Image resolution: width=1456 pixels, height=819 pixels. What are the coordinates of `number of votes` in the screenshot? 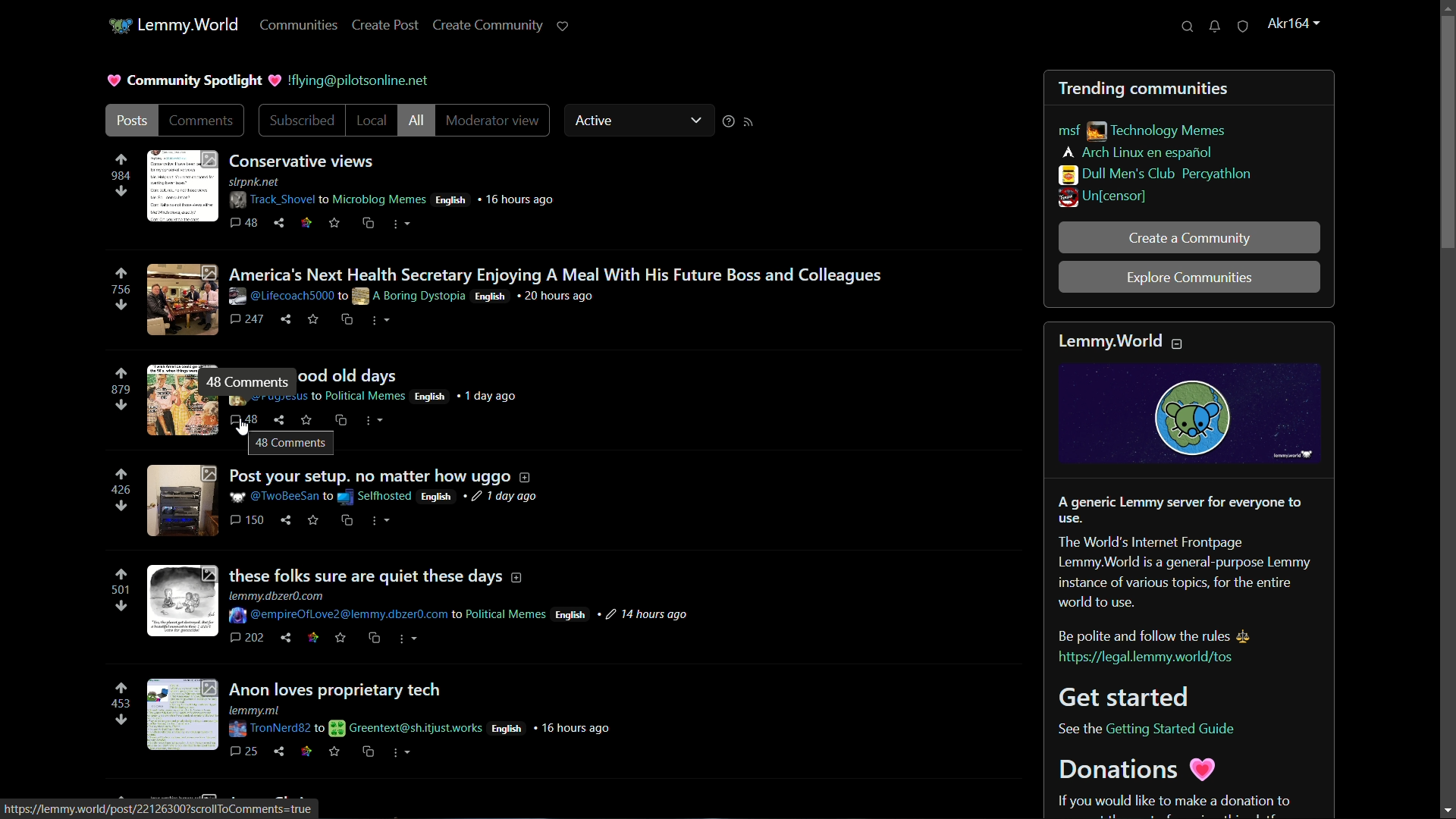 It's located at (122, 391).